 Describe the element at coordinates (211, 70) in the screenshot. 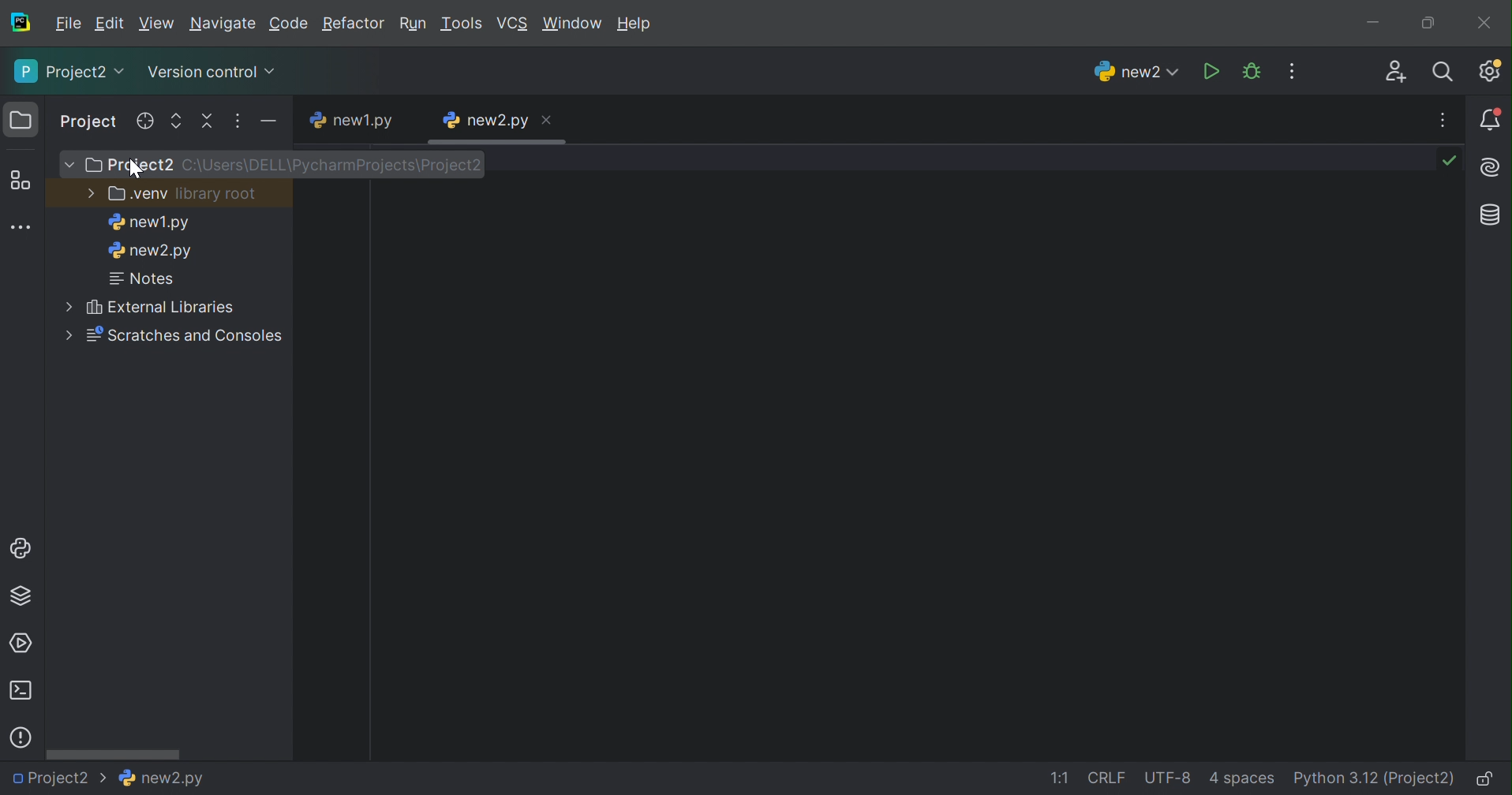

I see `Version control` at that location.